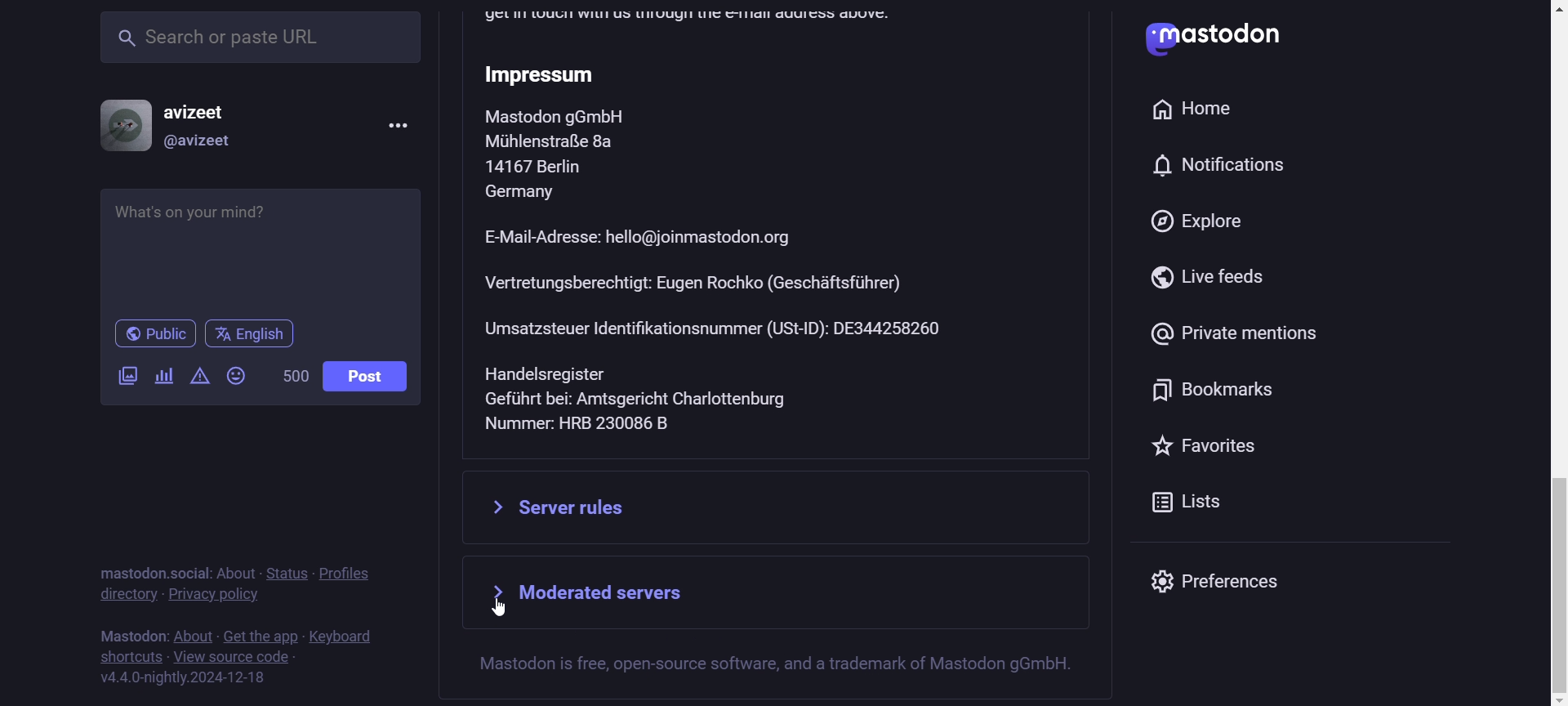 The width and height of the screenshot is (1568, 706). What do you see at coordinates (261, 40) in the screenshot?
I see `search` at bounding box center [261, 40].